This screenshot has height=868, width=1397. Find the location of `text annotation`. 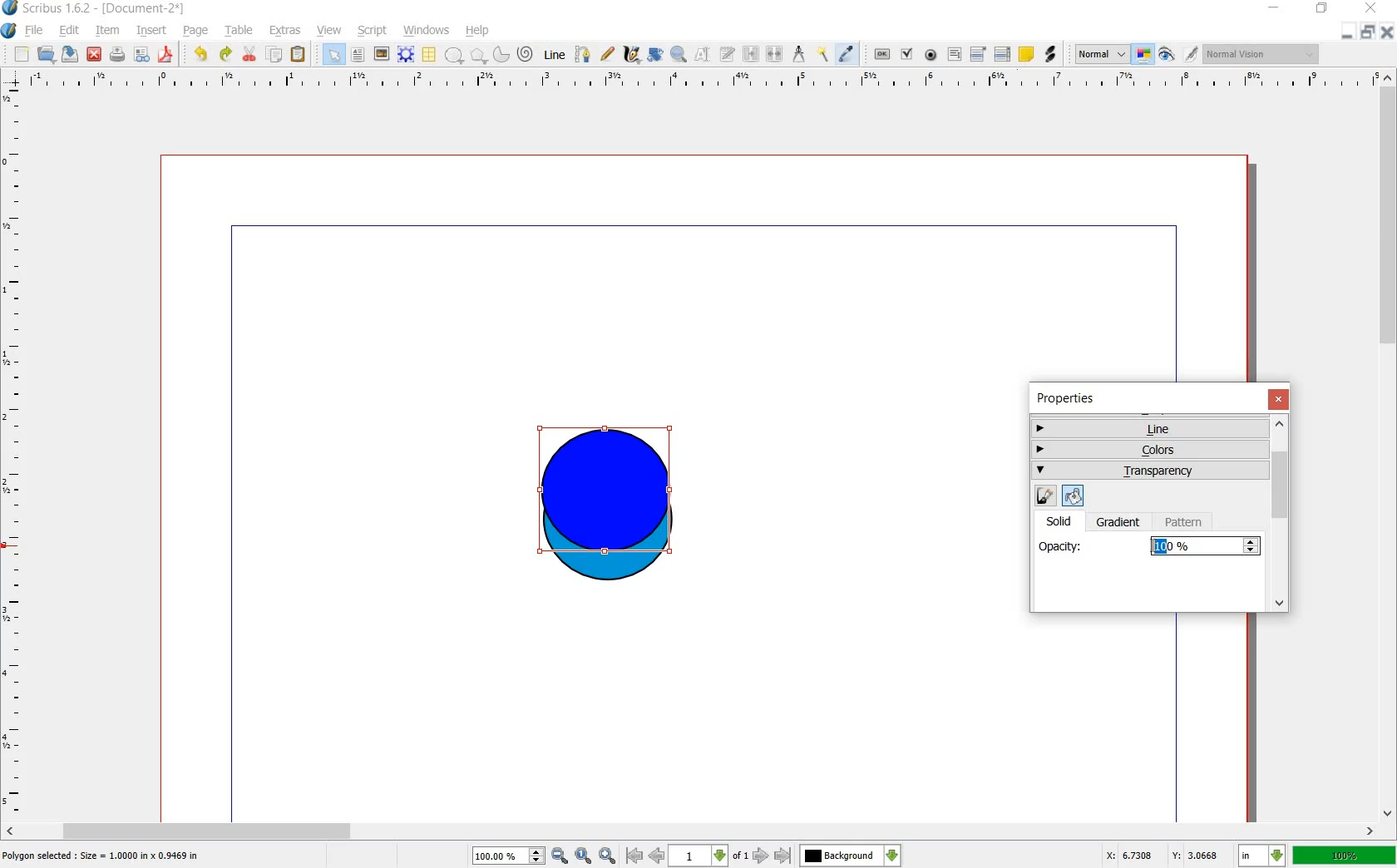

text annotation is located at coordinates (1028, 55).